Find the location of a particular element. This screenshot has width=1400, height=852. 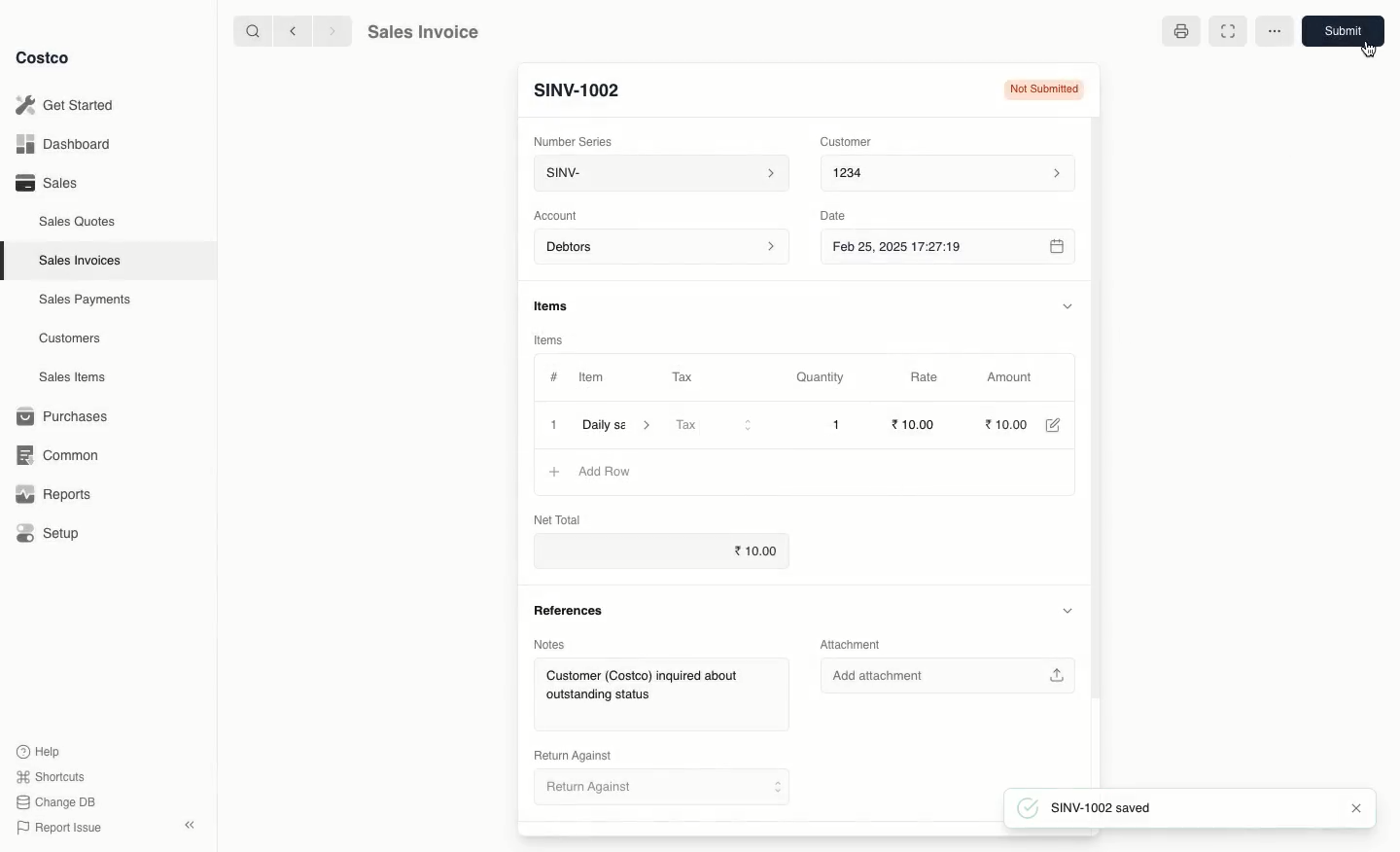

Setup is located at coordinates (49, 531).